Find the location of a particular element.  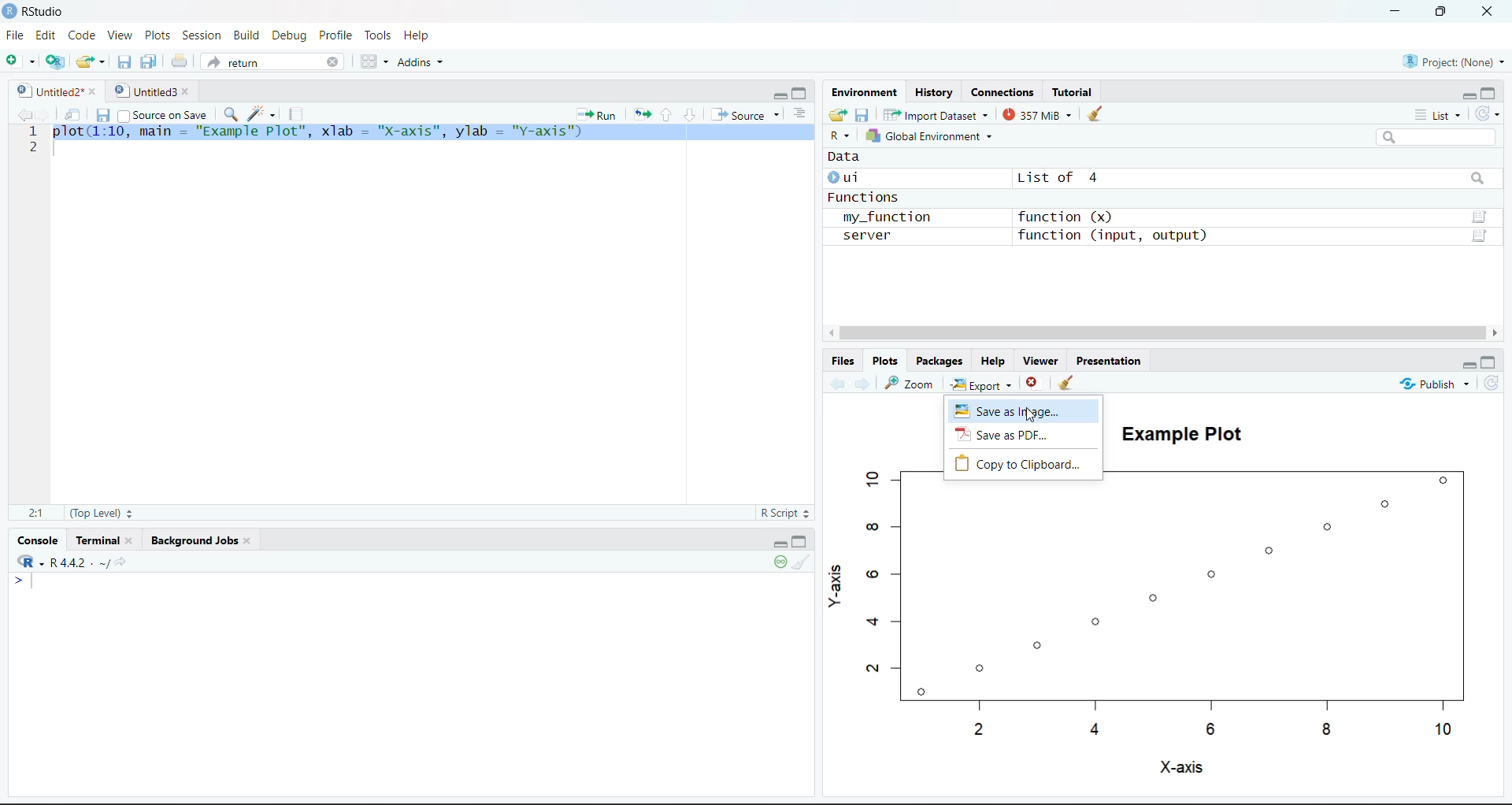

Search bar is located at coordinates (1437, 137).